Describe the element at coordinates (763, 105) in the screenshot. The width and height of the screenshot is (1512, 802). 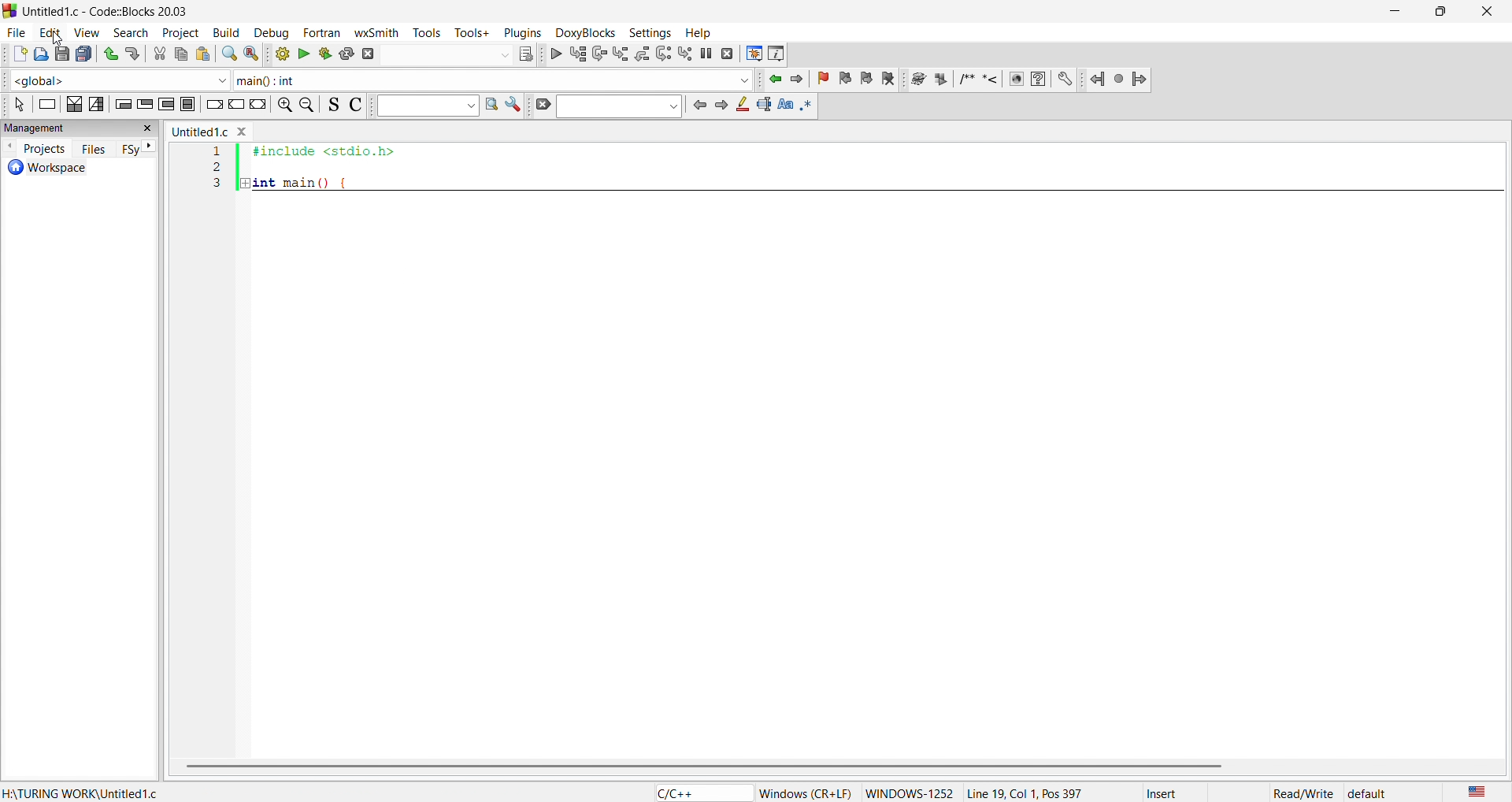
I see `selected text` at that location.